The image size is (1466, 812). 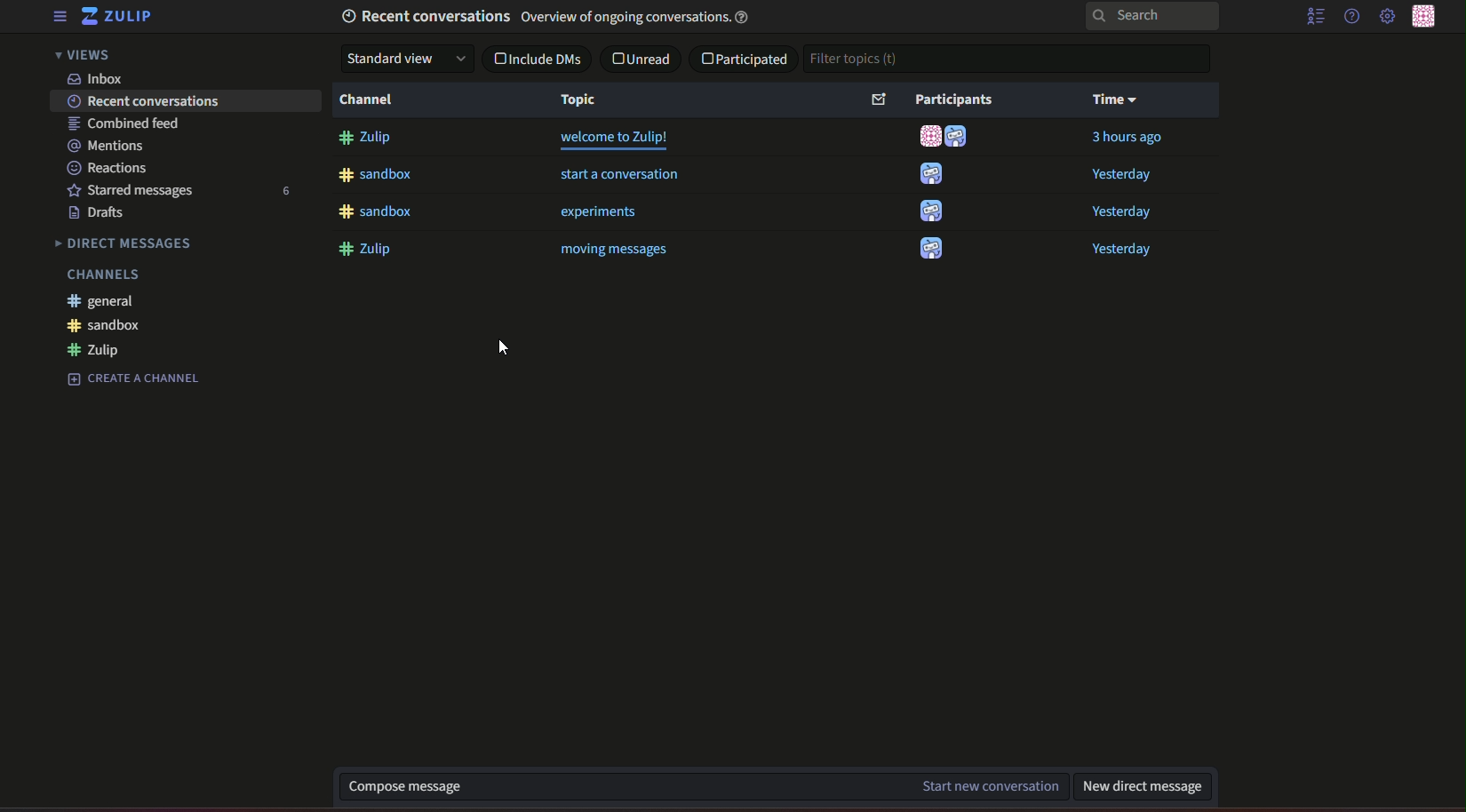 I want to click on compose message, so click(x=398, y=783).